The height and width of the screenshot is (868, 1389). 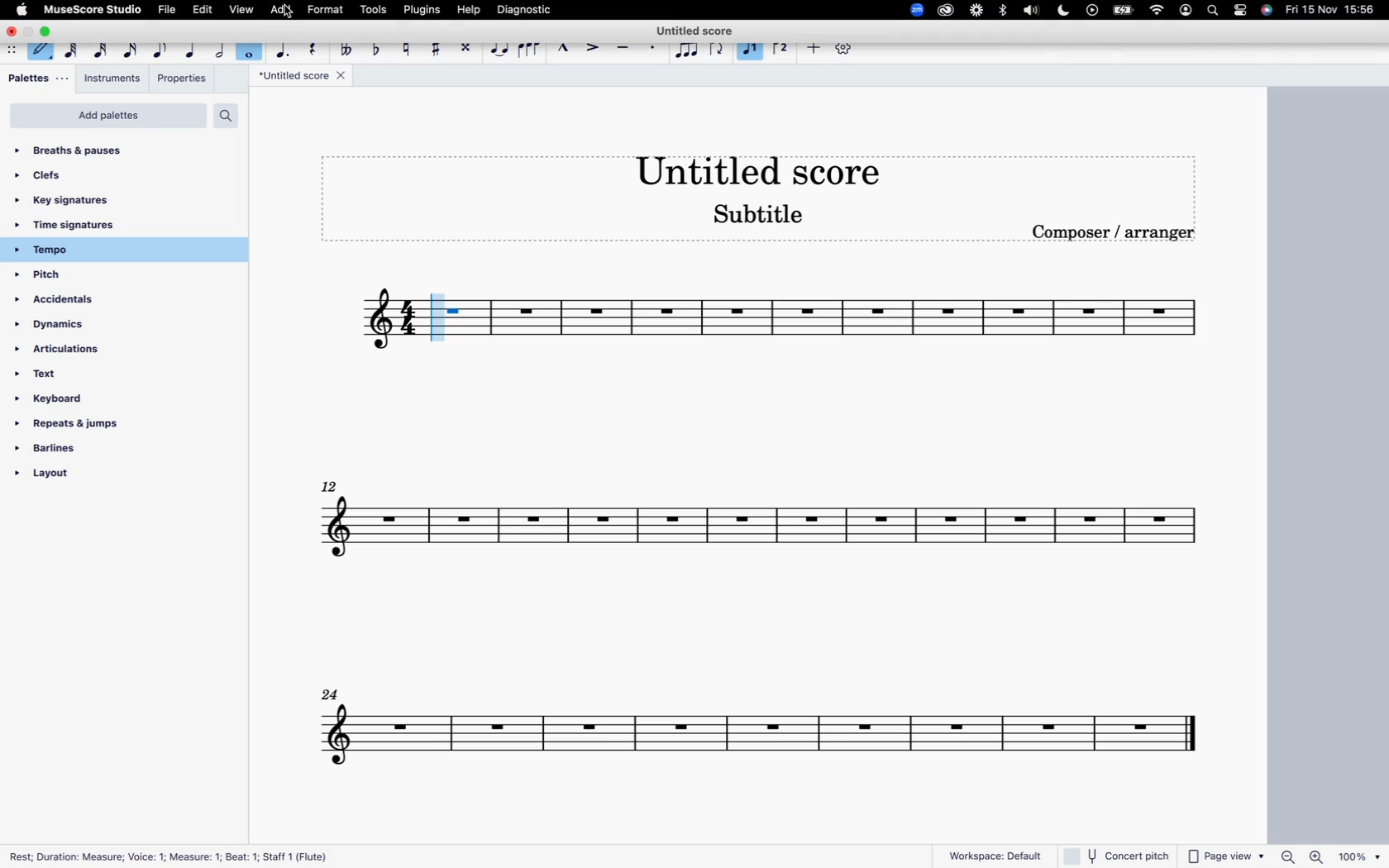 I want to click on edit, so click(x=203, y=9).